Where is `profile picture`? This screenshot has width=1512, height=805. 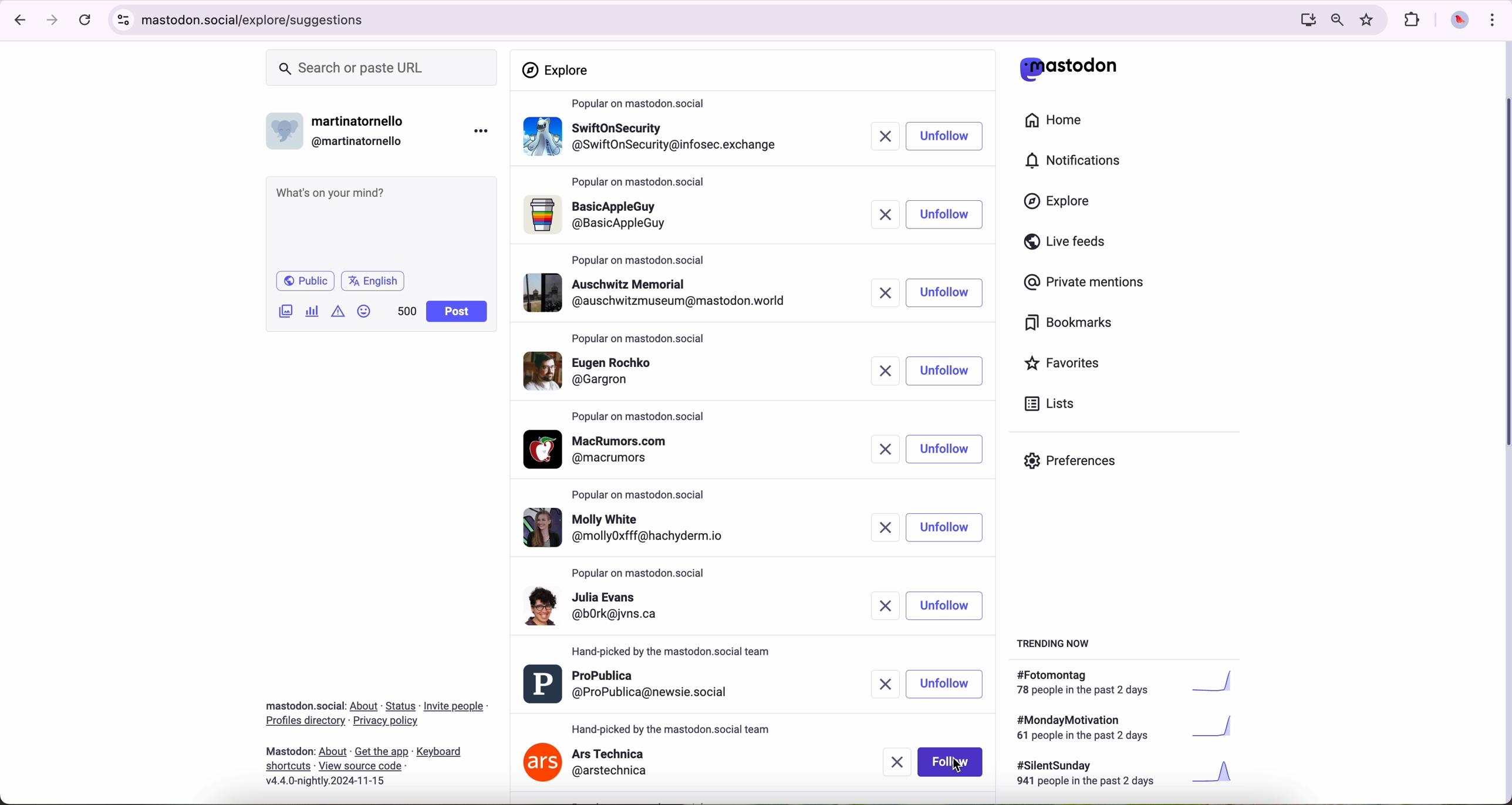 profile picture is located at coordinates (1456, 21).